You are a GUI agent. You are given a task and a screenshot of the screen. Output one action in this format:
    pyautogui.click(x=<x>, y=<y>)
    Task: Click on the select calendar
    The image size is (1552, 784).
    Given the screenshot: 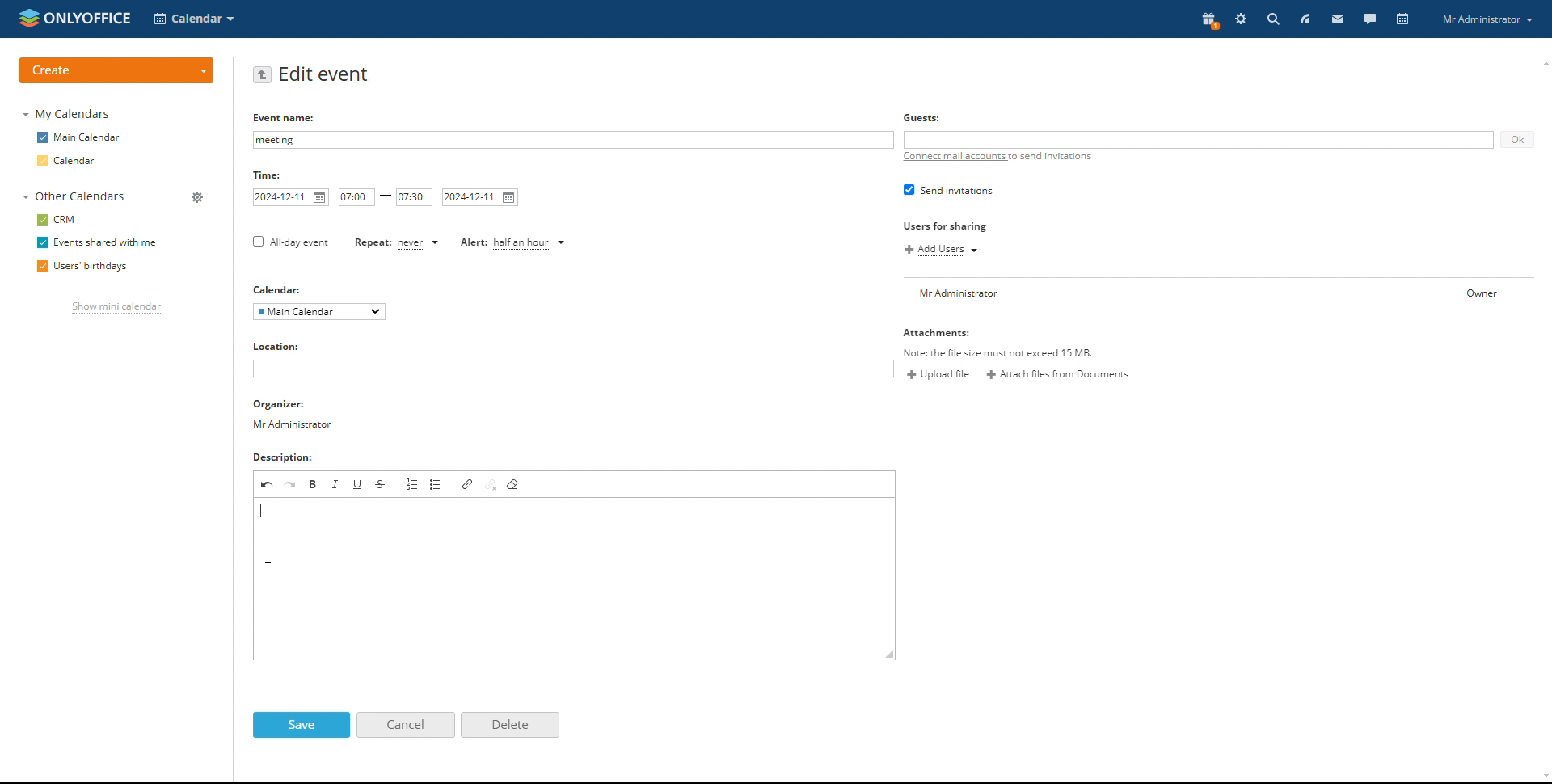 What is the action you would take?
    pyautogui.click(x=318, y=312)
    